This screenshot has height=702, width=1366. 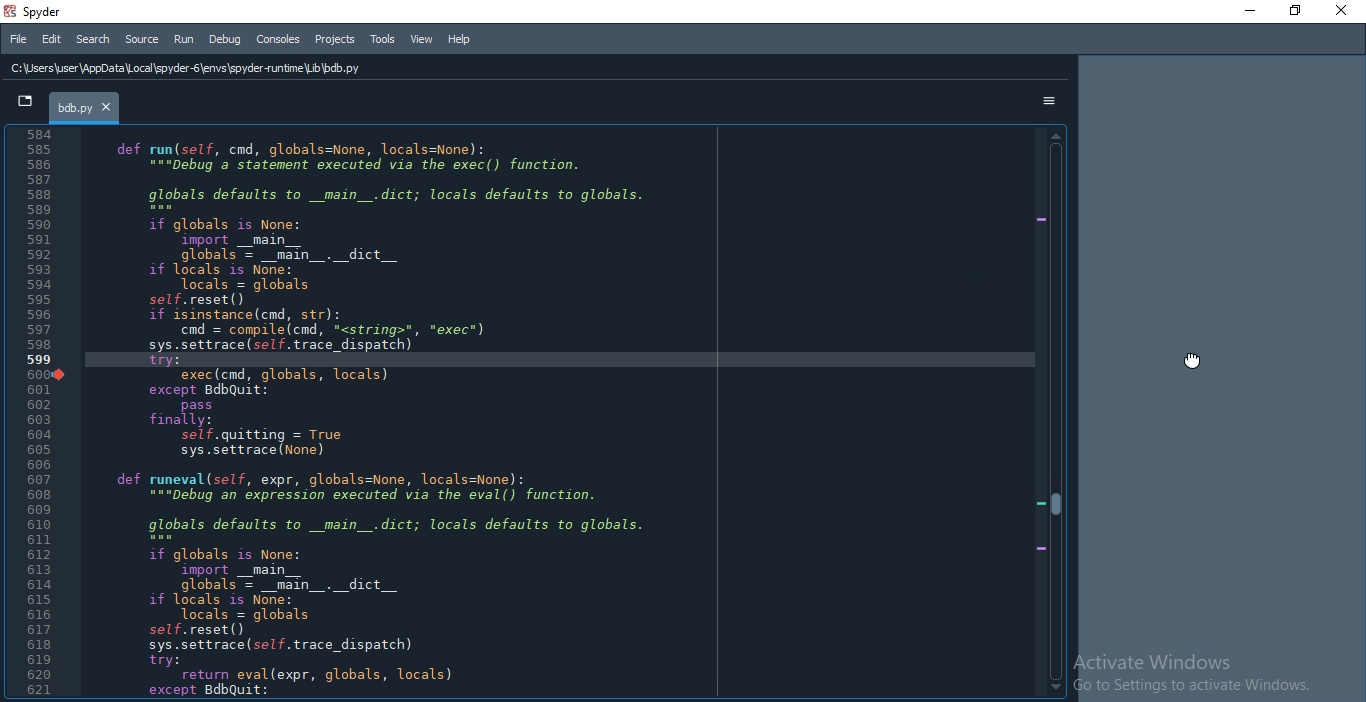 What do you see at coordinates (87, 109) in the screenshot?
I see `bdb.py` at bounding box center [87, 109].